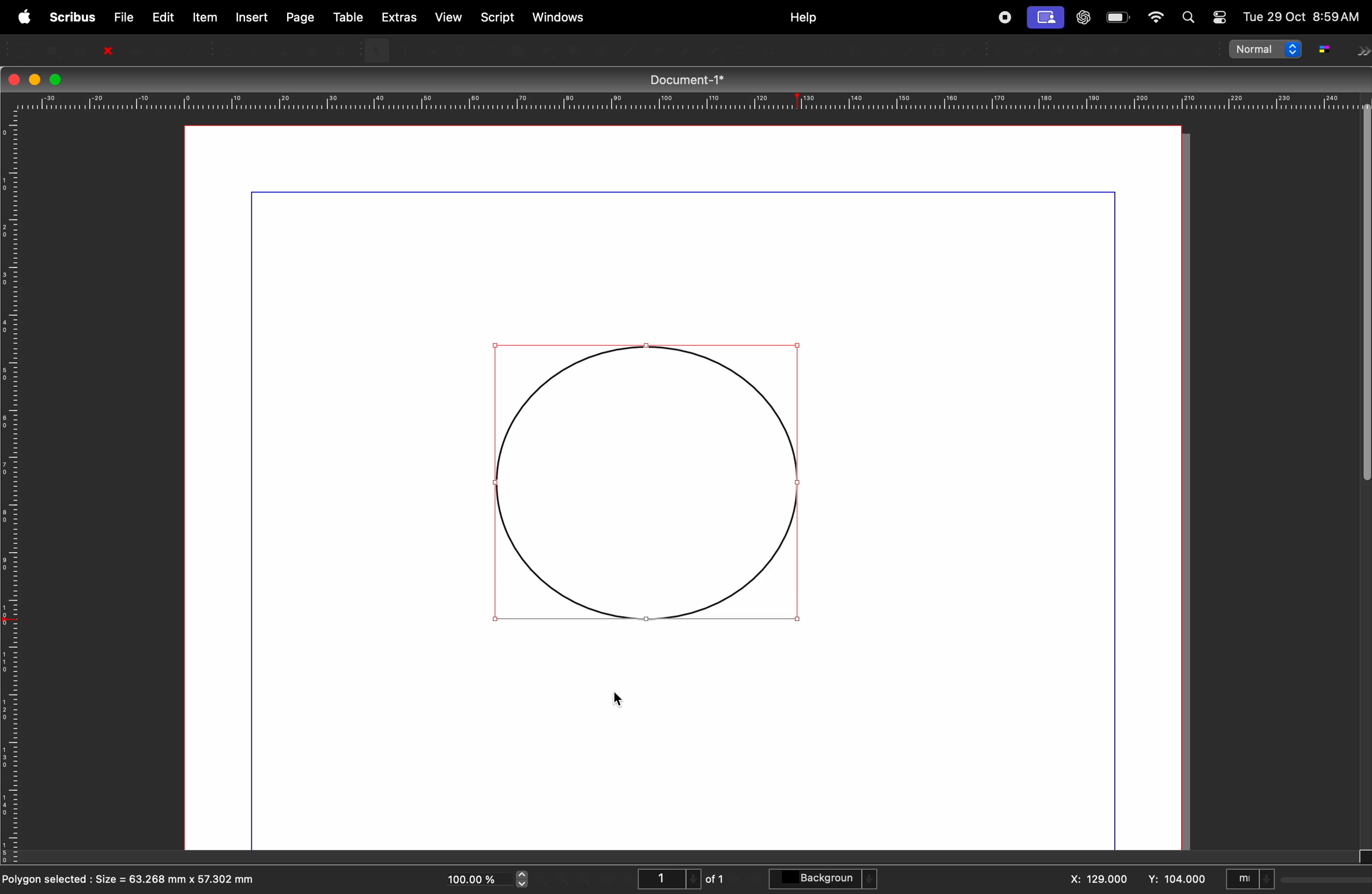 This screenshot has height=894, width=1372. What do you see at coordinates (1033, 50) in the screenshot?
I see `PDF checkbox` at bounding box center [1033, 50].